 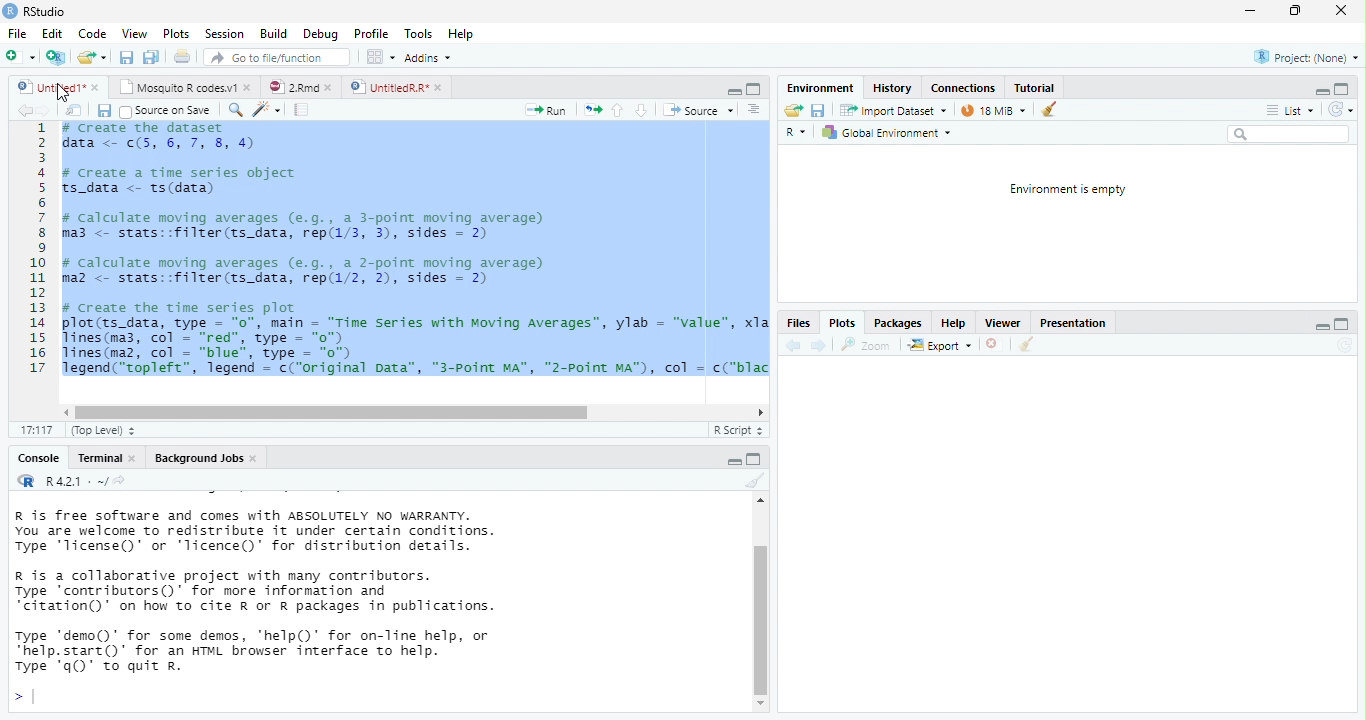 What do you see at coordinates (98, 431) in the screenshot?
I see `(Top Level)` at bounding box center [98, 431].